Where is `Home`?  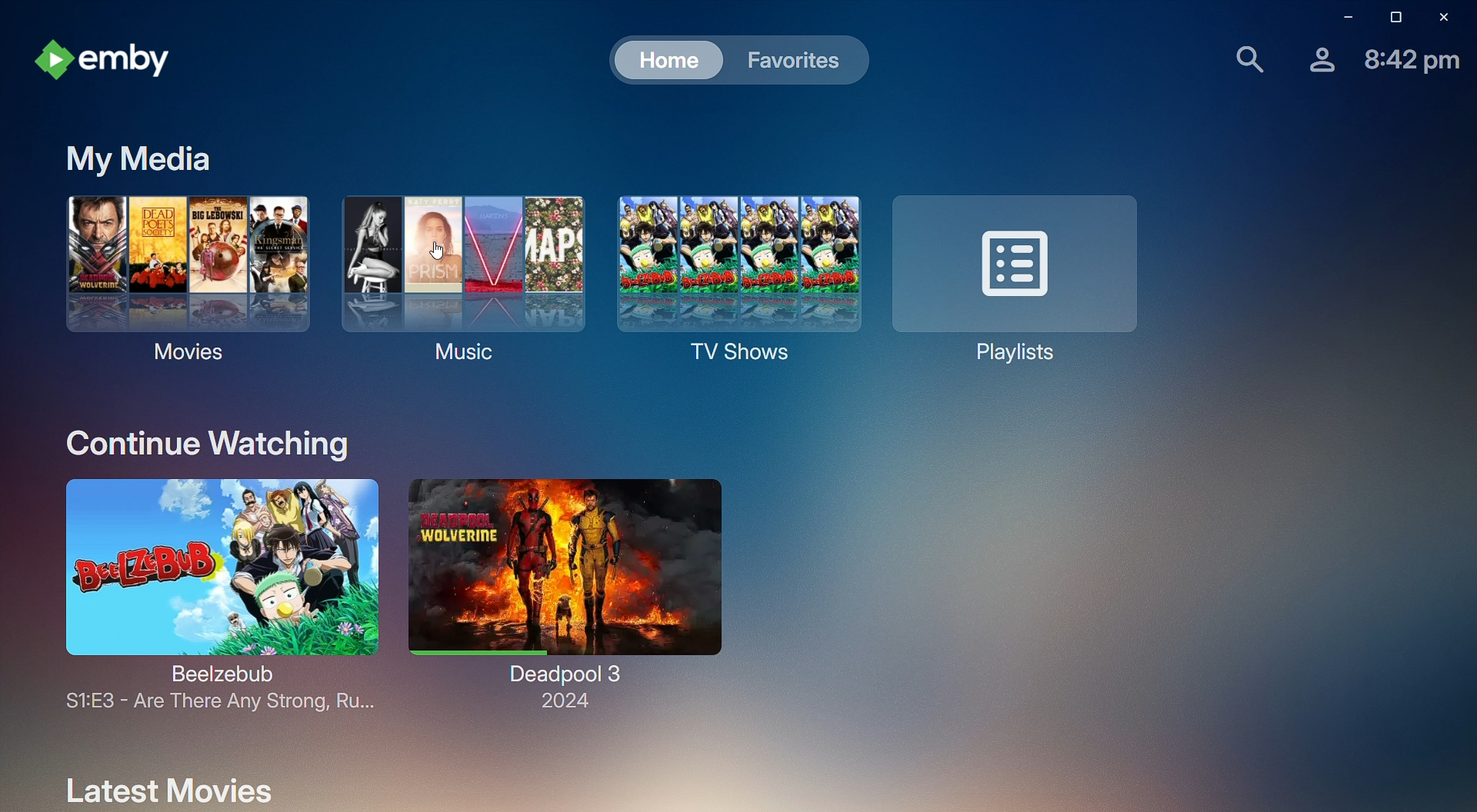 Home is located at coordinates (662, 60).